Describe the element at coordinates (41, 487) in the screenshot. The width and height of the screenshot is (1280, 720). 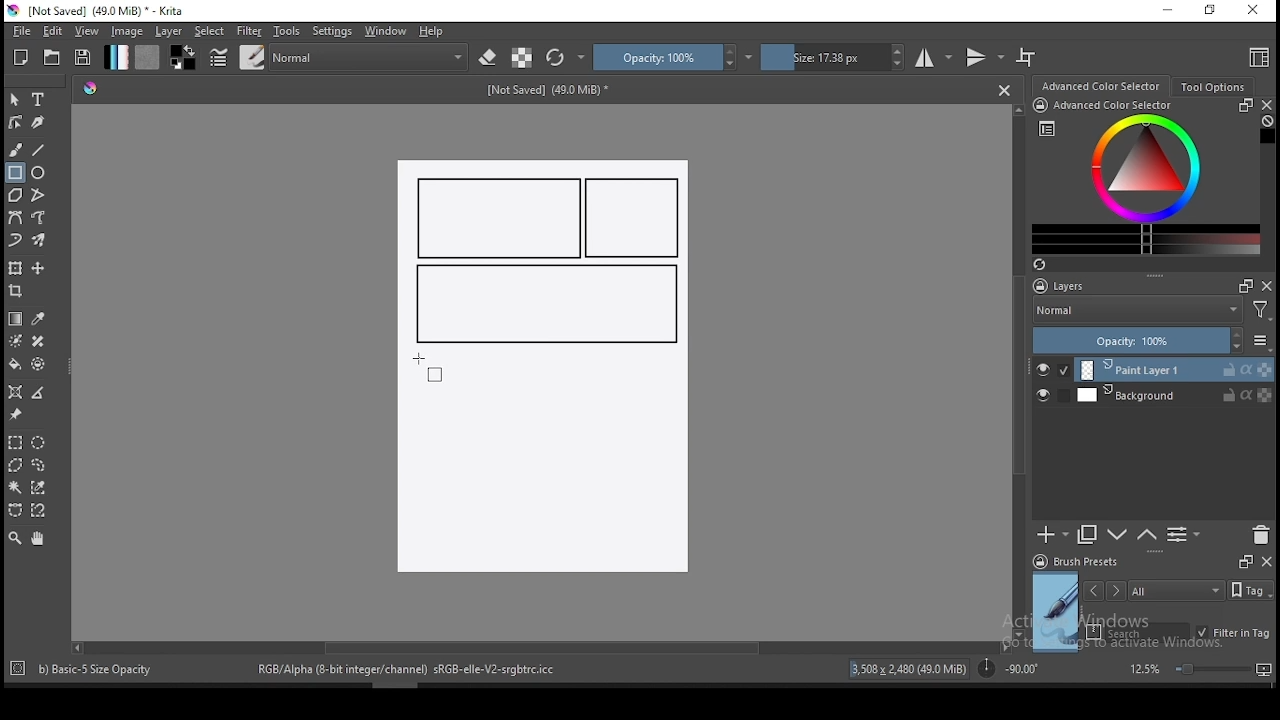
I see `similar color selection tool` at that location.